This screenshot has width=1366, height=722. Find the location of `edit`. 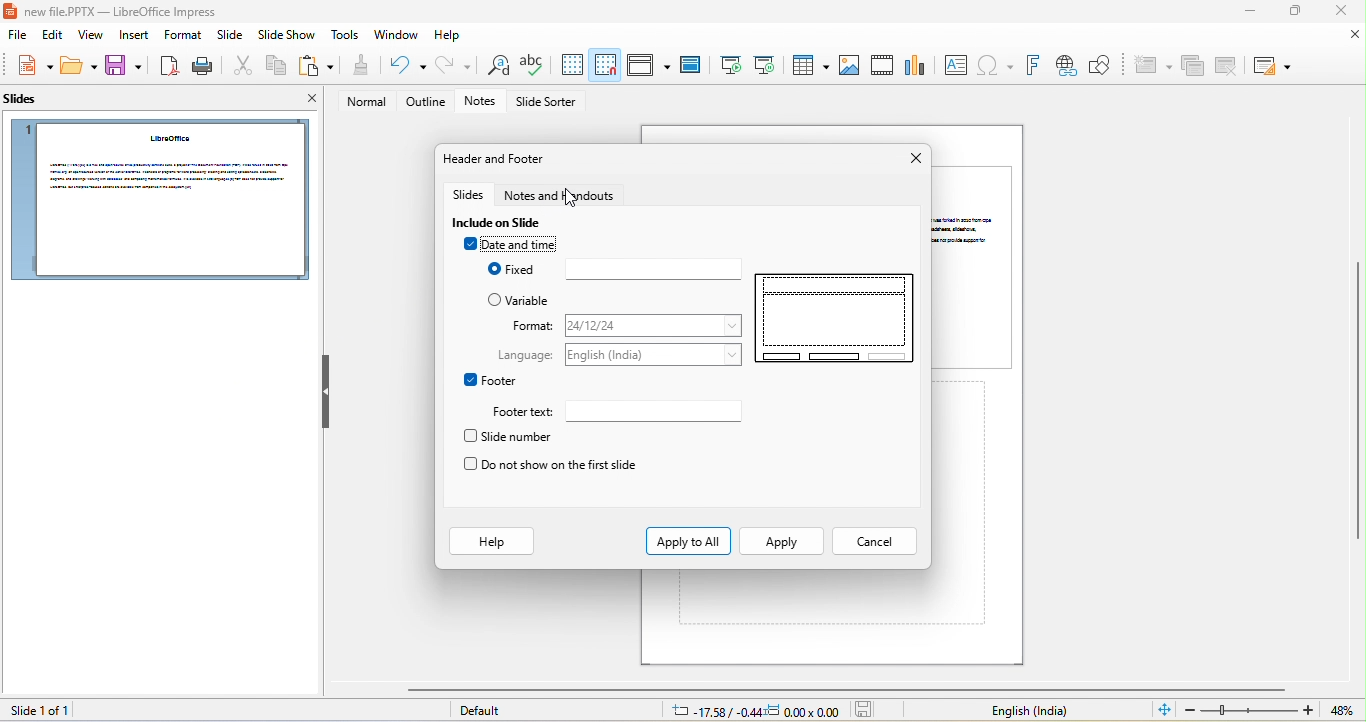

edit is located at coordinates (50, 37).